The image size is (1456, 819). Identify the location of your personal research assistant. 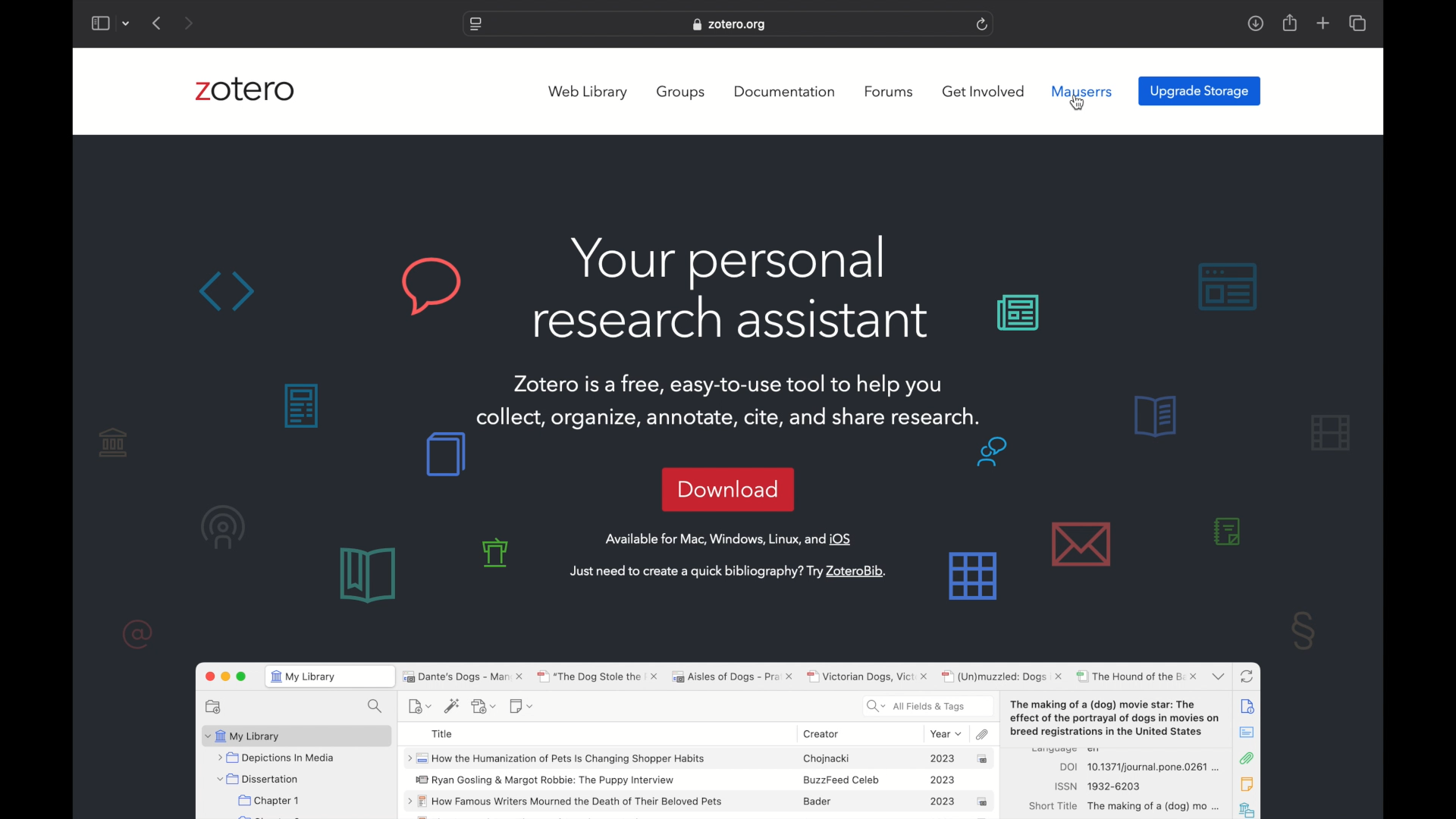
(733, 289).